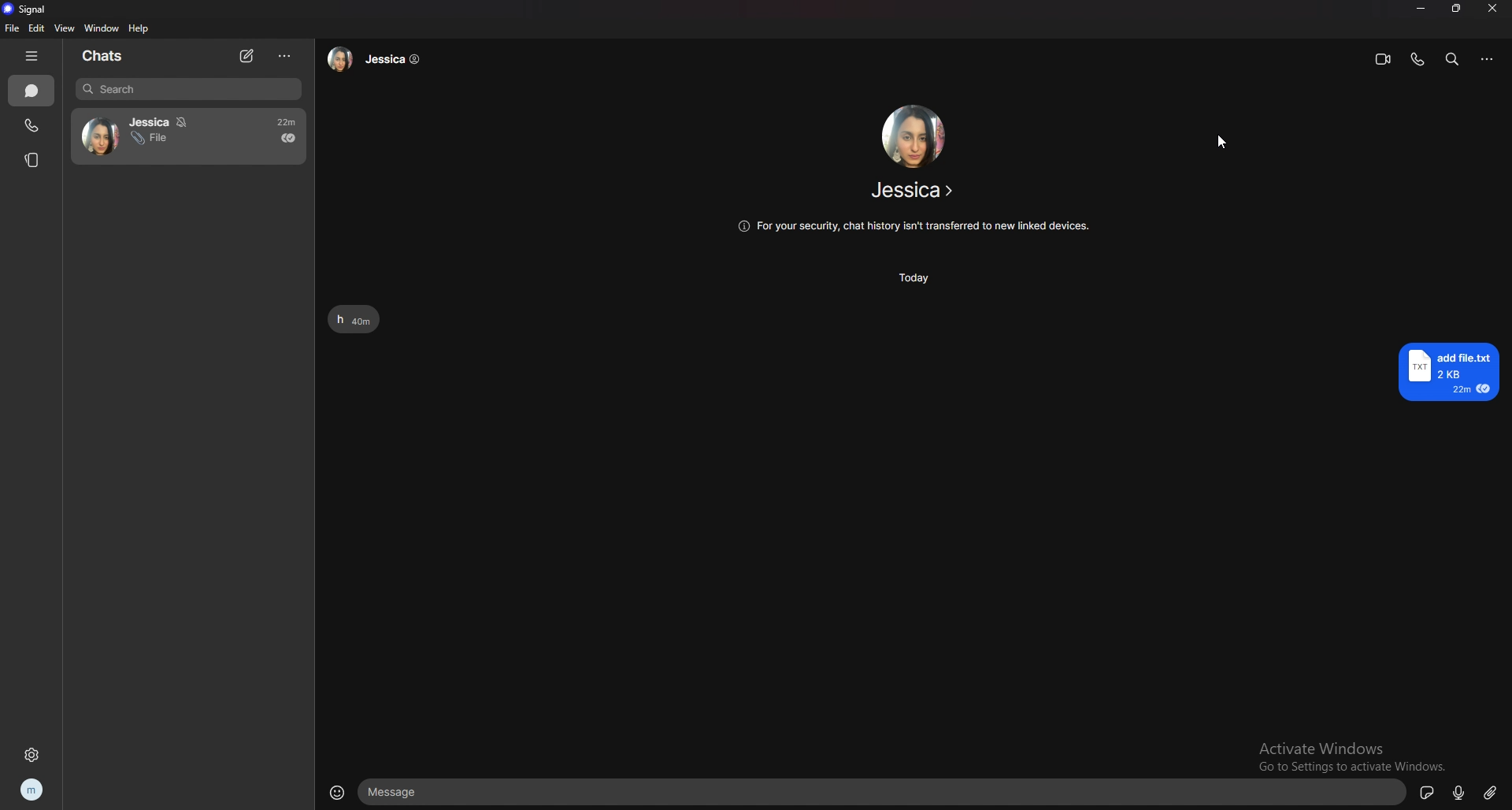 Image resolution: width=1512 pixels, height=810 pixels. Describe the element at coordinates (36, 27) in the screenshot. I see `edit` at that location.